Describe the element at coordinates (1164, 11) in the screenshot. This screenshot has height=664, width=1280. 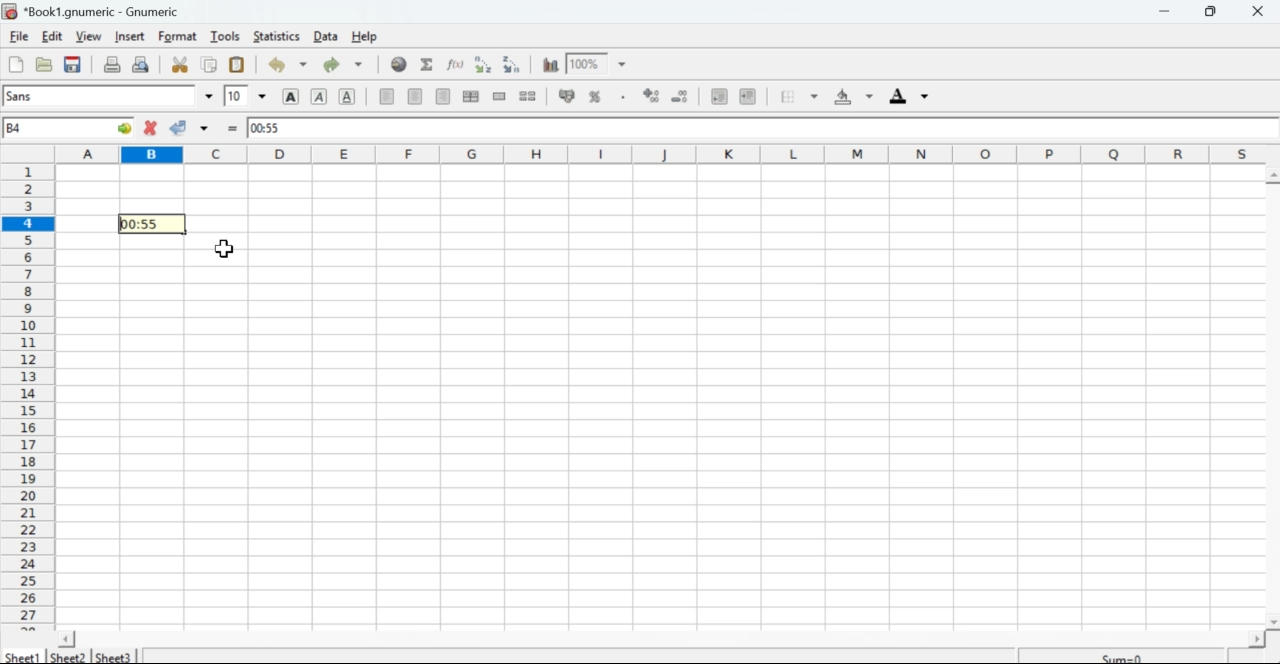
I see `Minimise` at that location.